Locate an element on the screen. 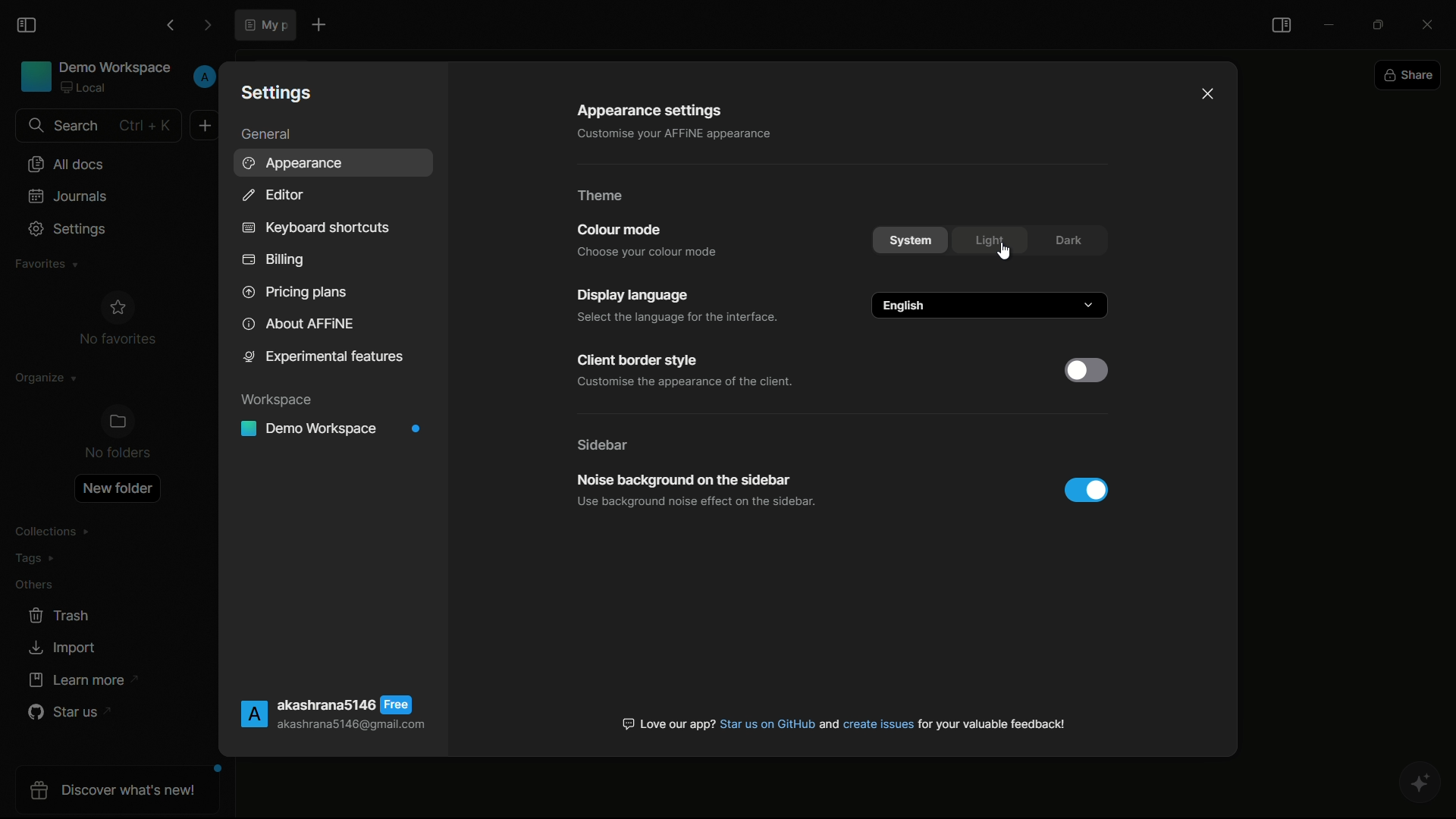  close app is located at coordinates (1433, 22).